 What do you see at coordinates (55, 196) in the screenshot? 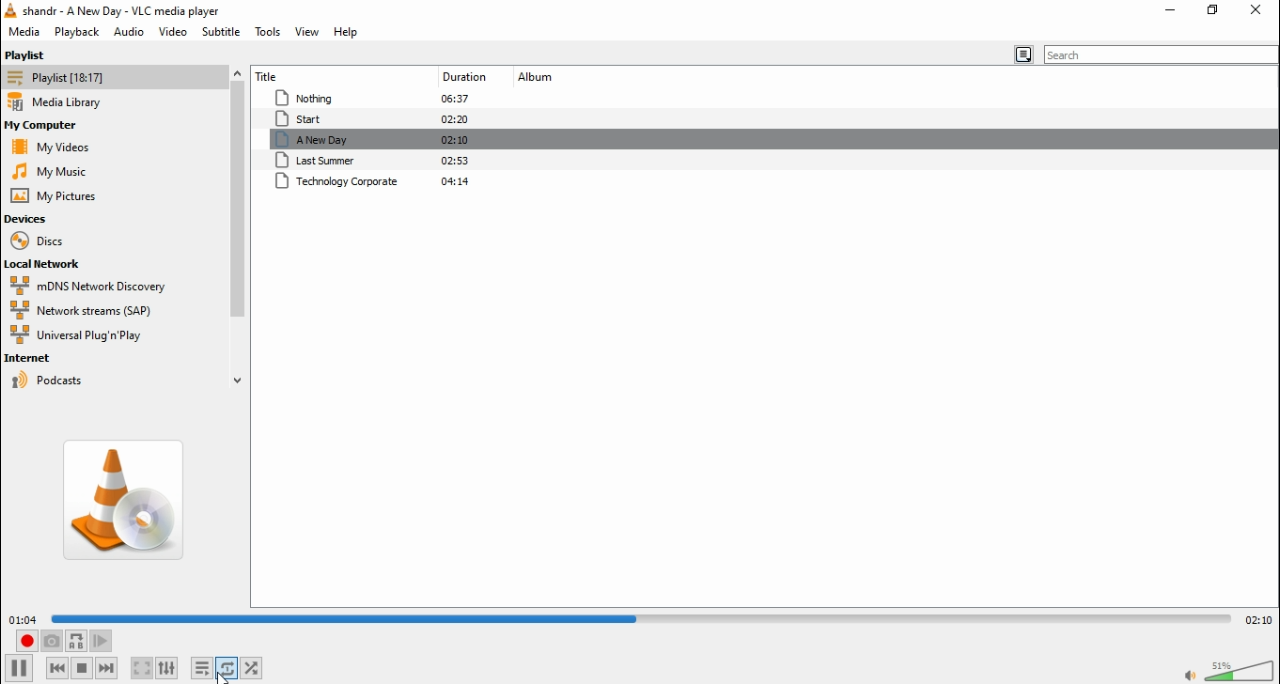
I see `my pictures` at bounding box center [55, 196].